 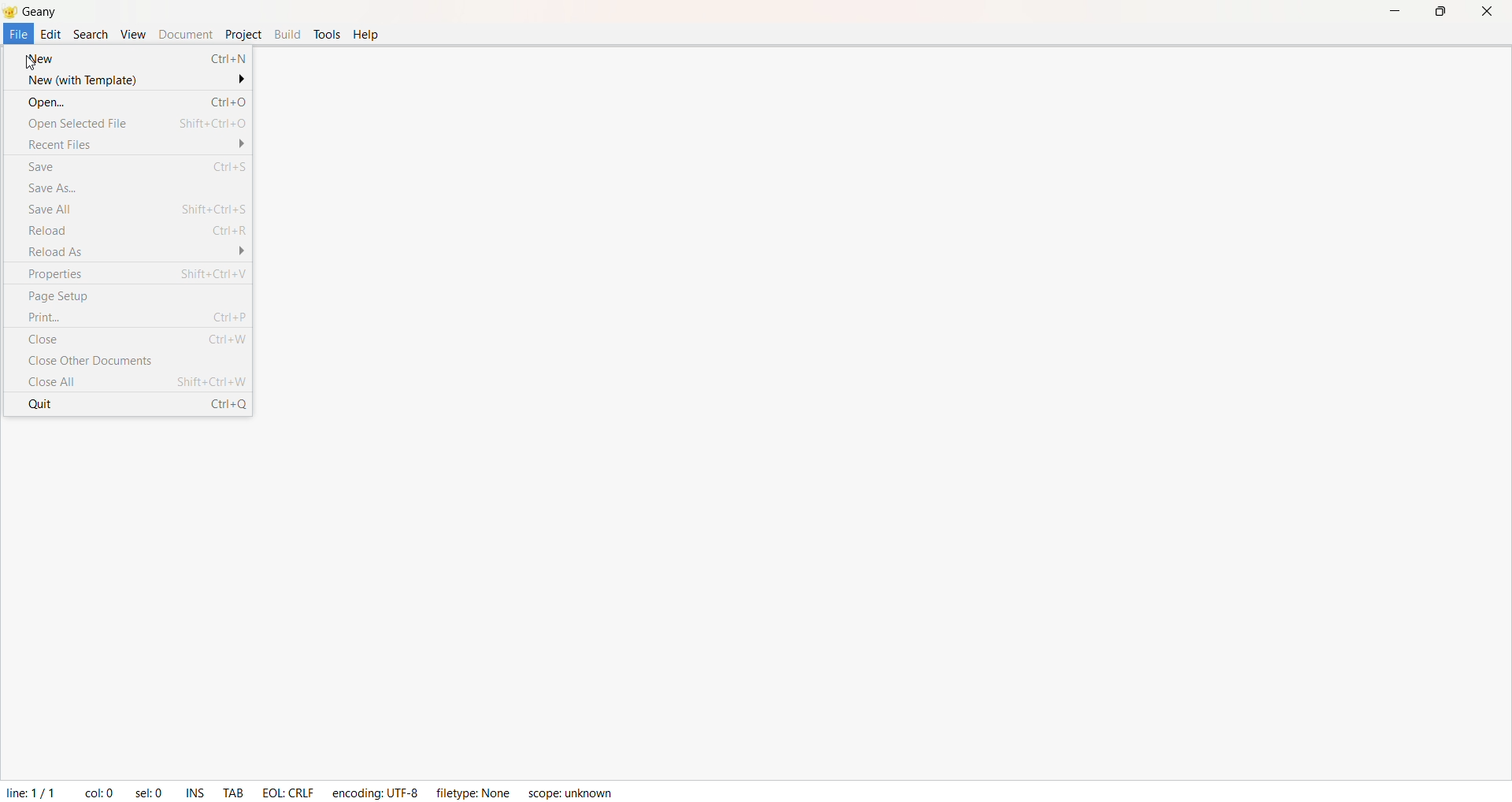 What do you see at coordinates (44, 13) in the screenshot?
I see `Geany` at bounding box center [44, 13].